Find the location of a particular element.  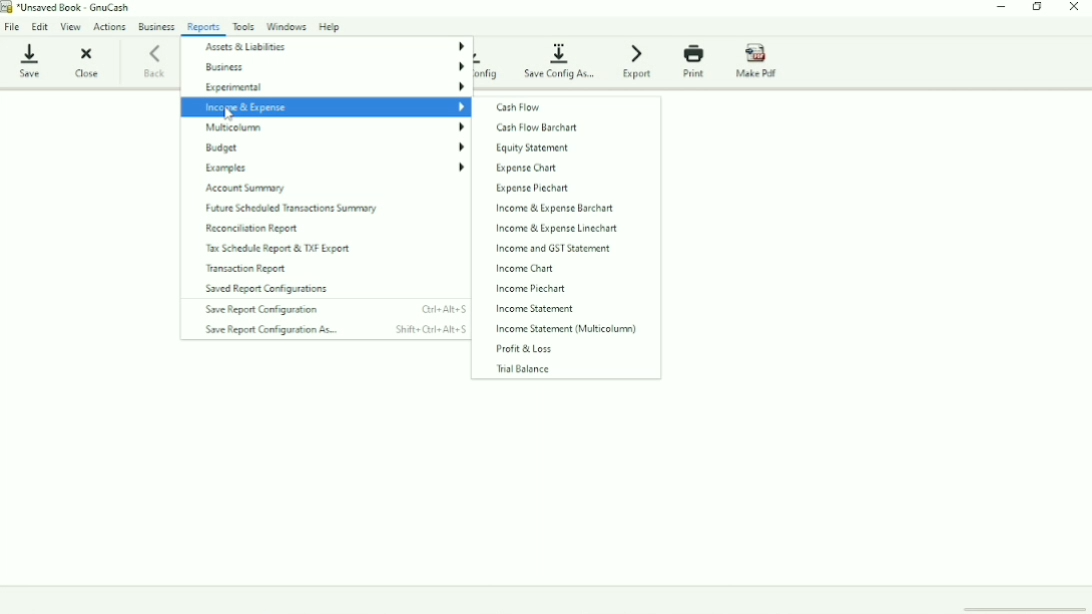

Export is located at coordinates (640, 60).